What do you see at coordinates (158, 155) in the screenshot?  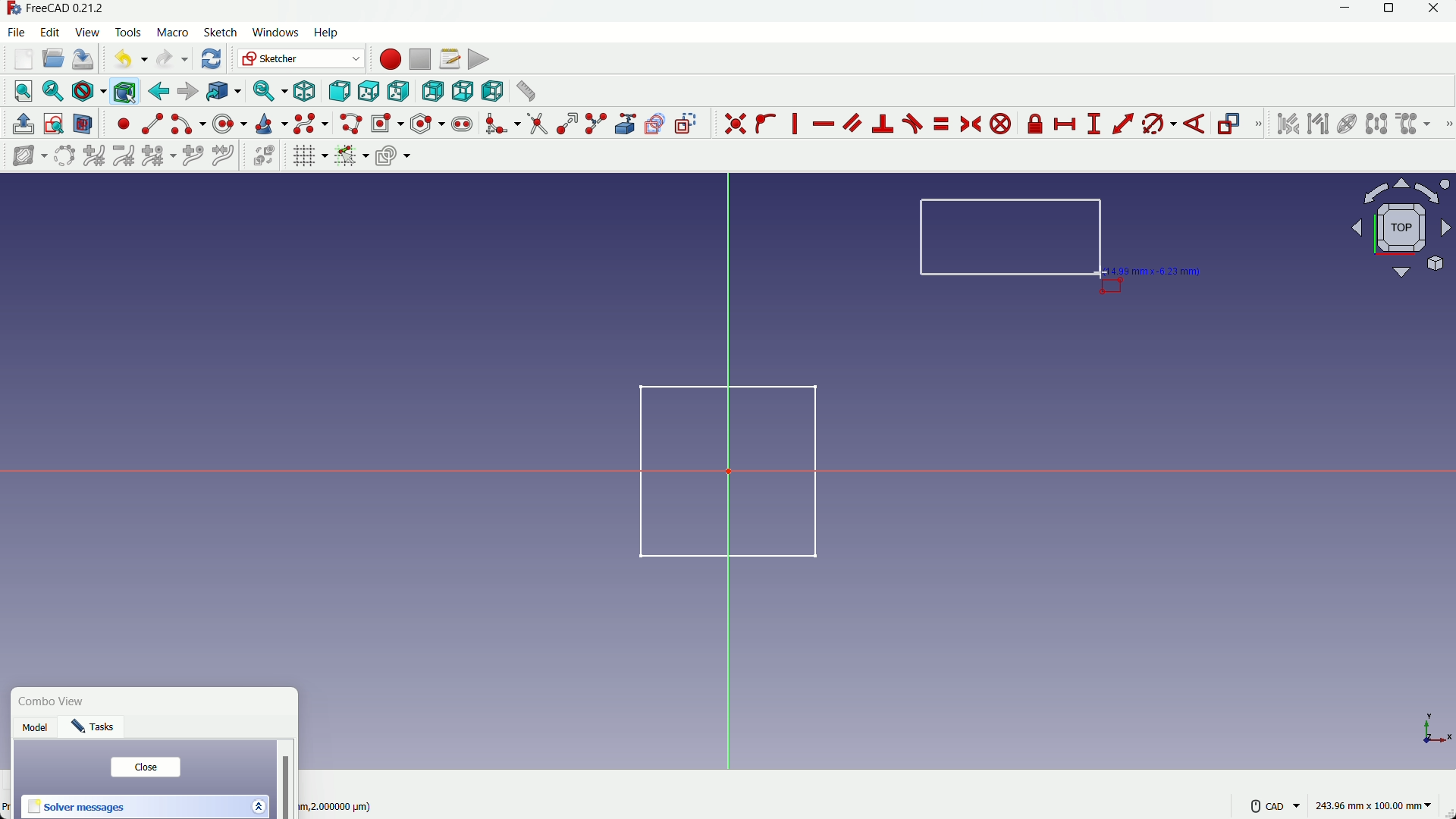 I see `modify knot multiplicity` at bounding box center [158, 155].